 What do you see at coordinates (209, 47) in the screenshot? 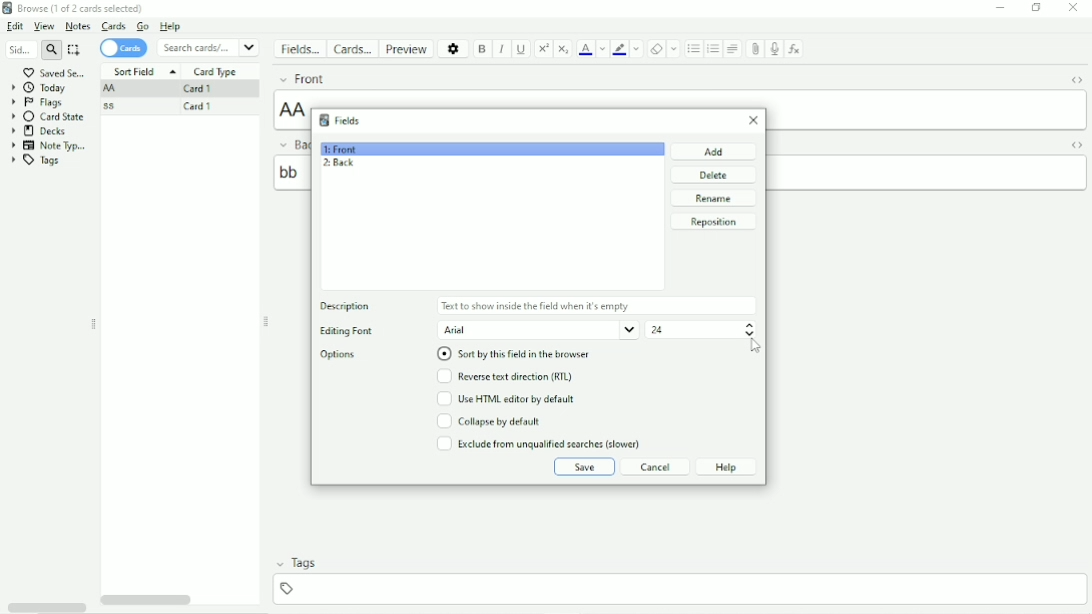
I see `Search cards` at bounding box center [209, 47].